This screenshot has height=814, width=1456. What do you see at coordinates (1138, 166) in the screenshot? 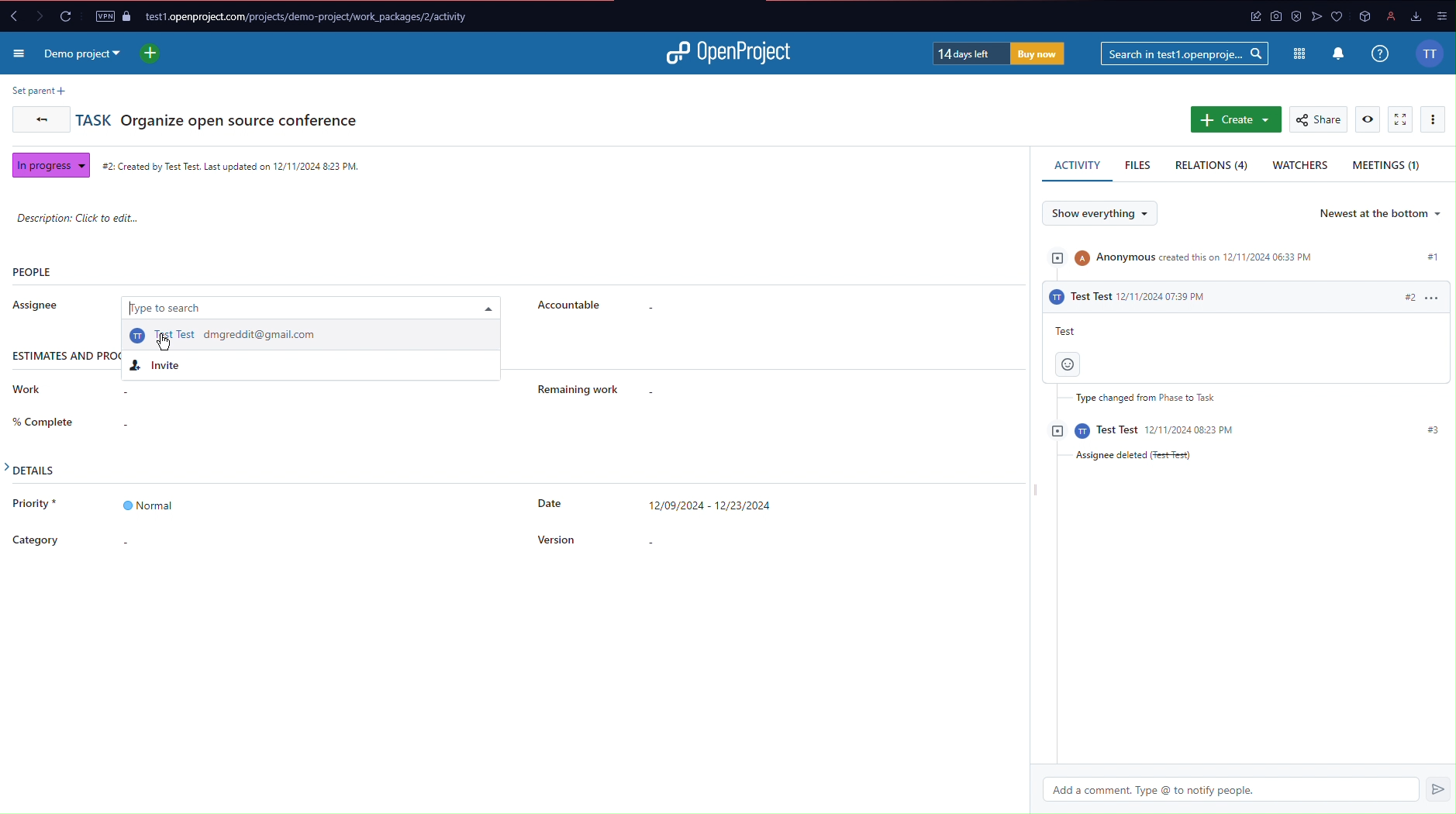
I see `Files` at bounding box center [1138, 166].